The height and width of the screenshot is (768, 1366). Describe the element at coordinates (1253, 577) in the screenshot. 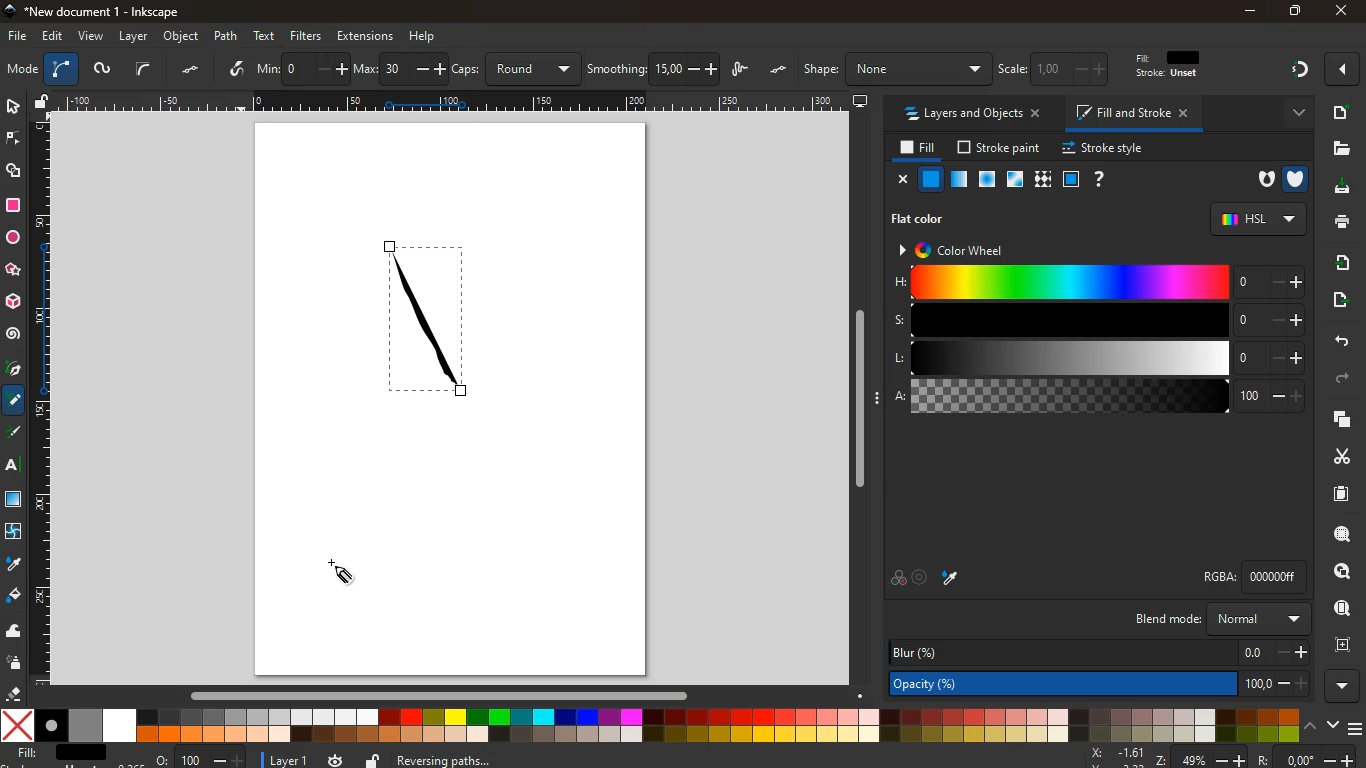

I see `rgba` at that location.